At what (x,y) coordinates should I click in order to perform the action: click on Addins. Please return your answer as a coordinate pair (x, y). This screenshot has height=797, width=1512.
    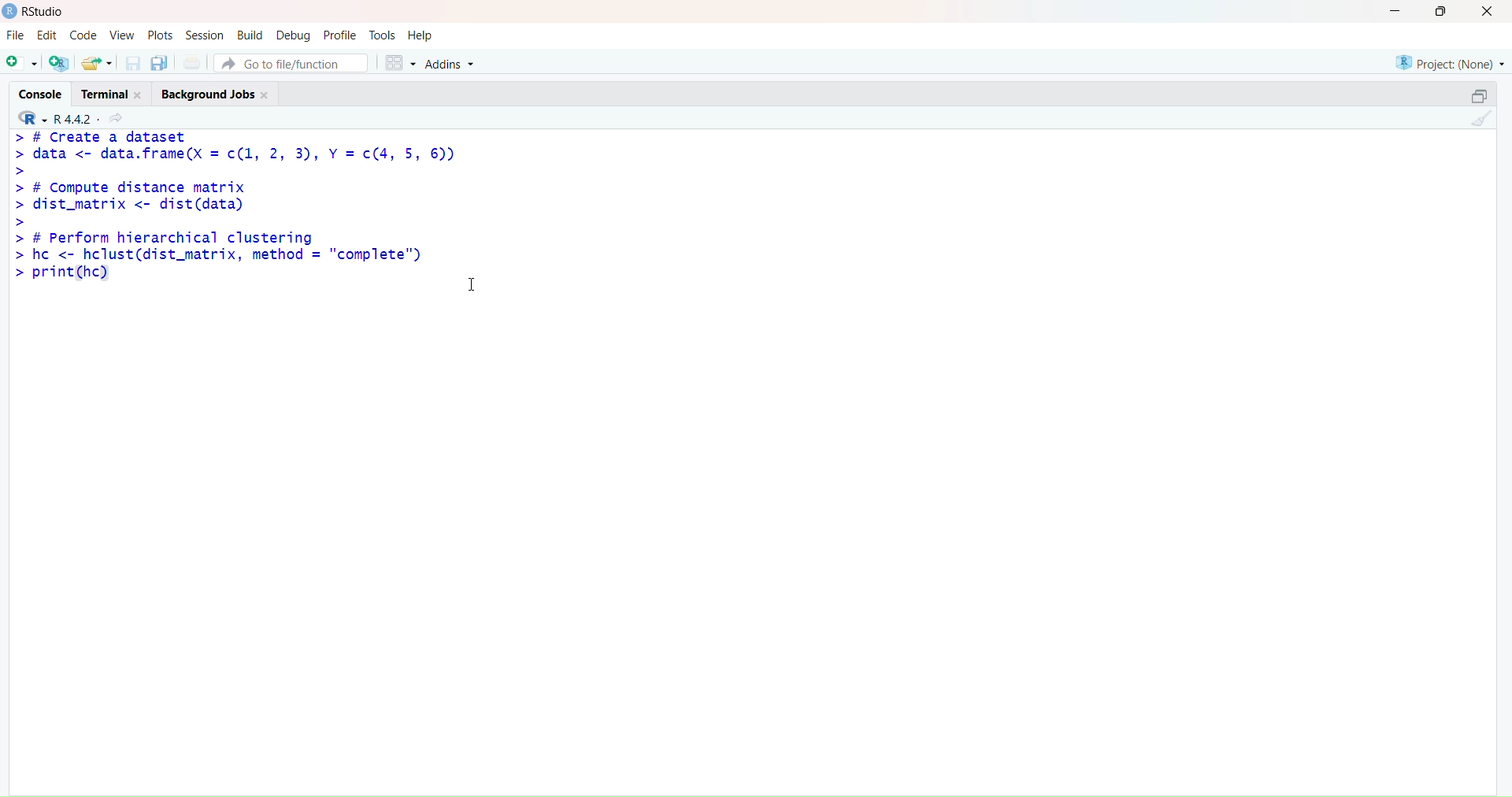
    Looking at the image, I should click on (461, 61).